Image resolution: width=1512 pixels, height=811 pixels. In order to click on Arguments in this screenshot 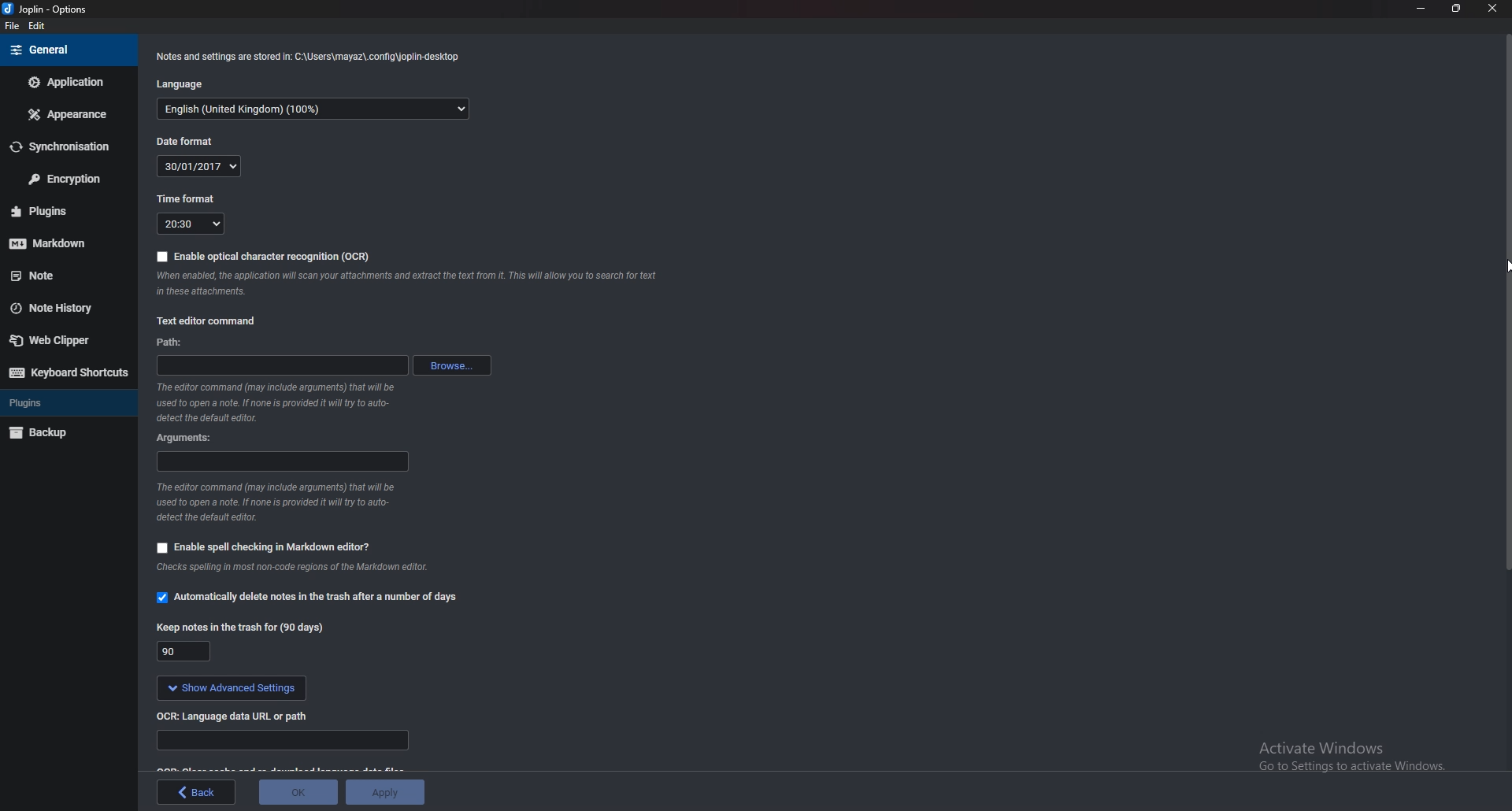, I will do `click(187, 439)`.